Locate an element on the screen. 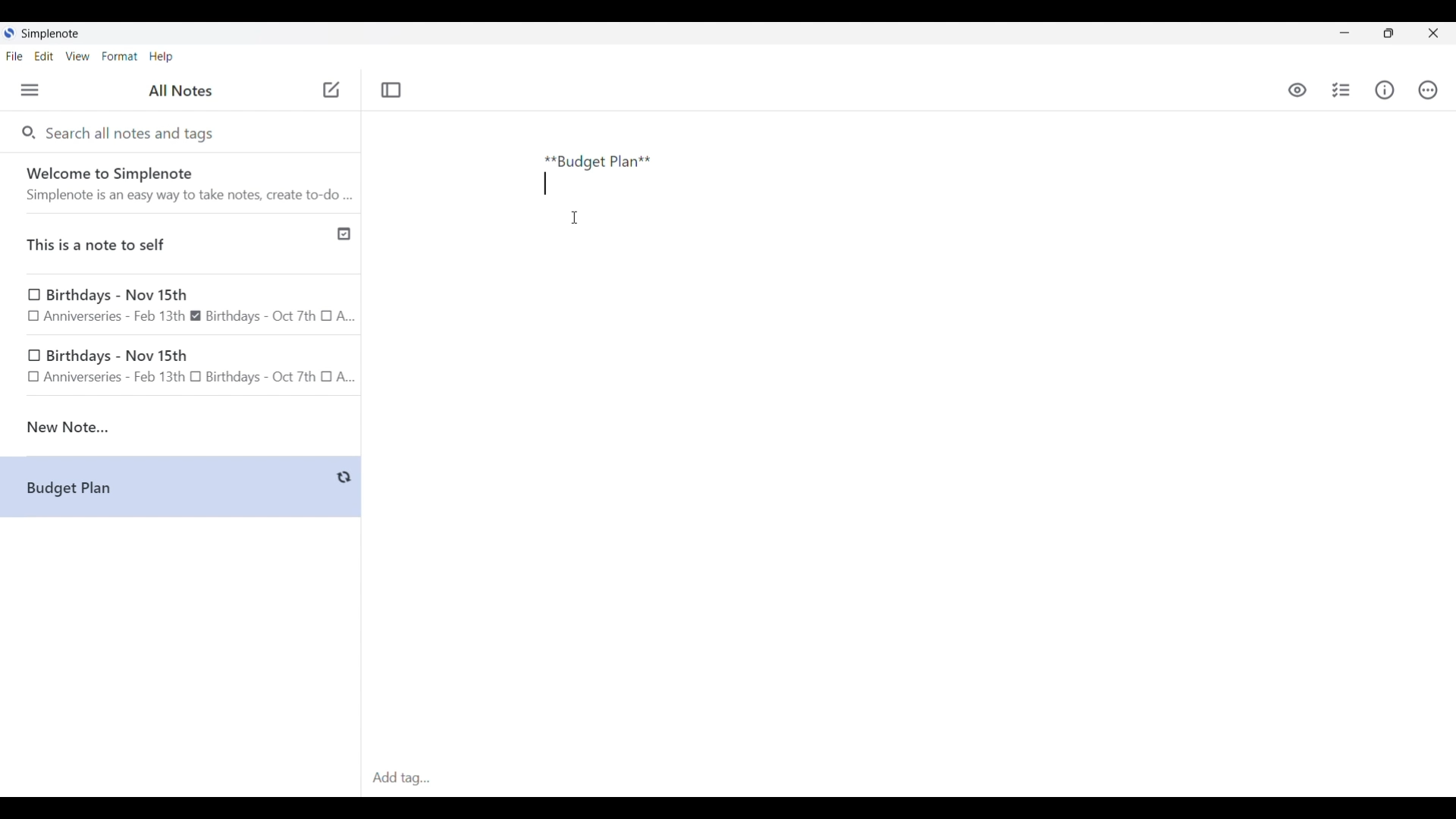 The width and height of the screenshot is (1456, 819). Toggle focus mode is located at coordinates (391, 90).